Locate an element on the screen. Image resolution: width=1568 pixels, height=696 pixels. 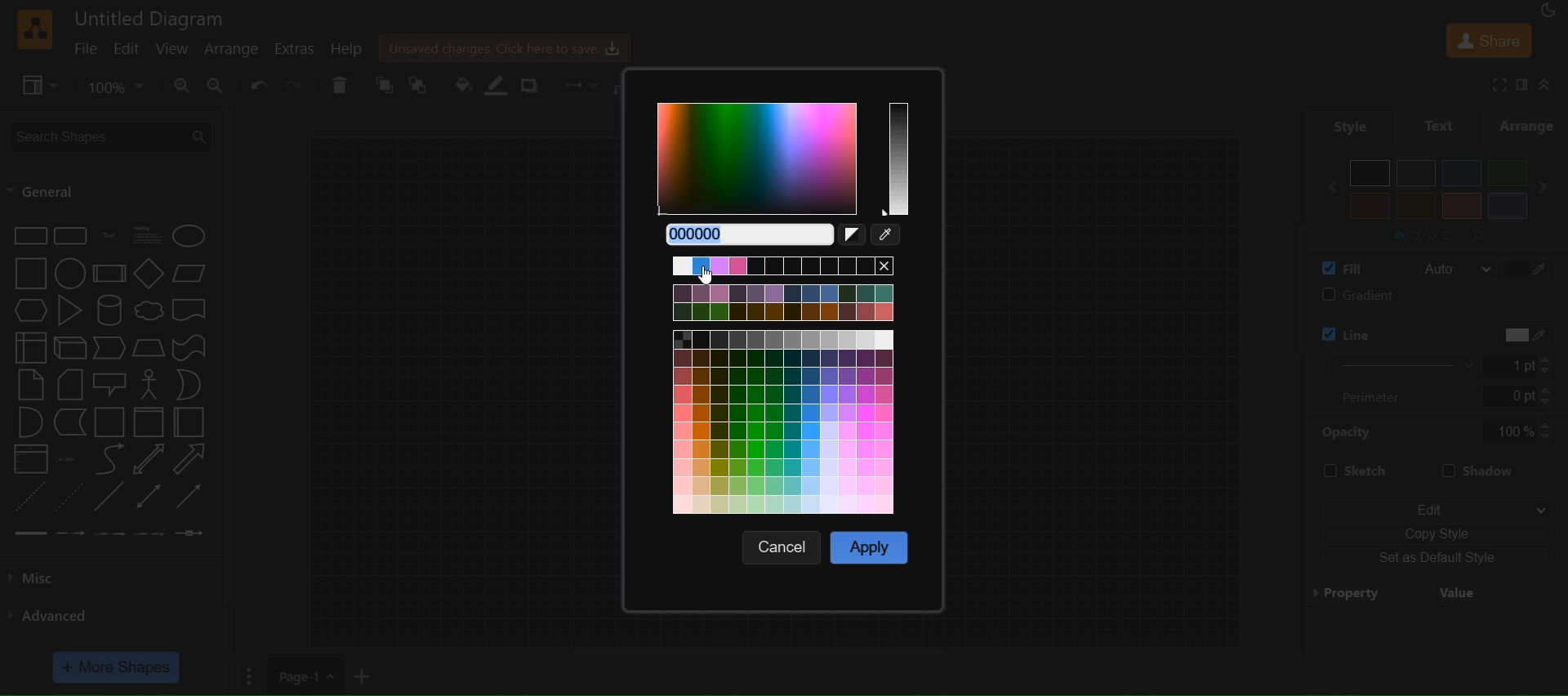
delete is located at coordinates (340, 85).